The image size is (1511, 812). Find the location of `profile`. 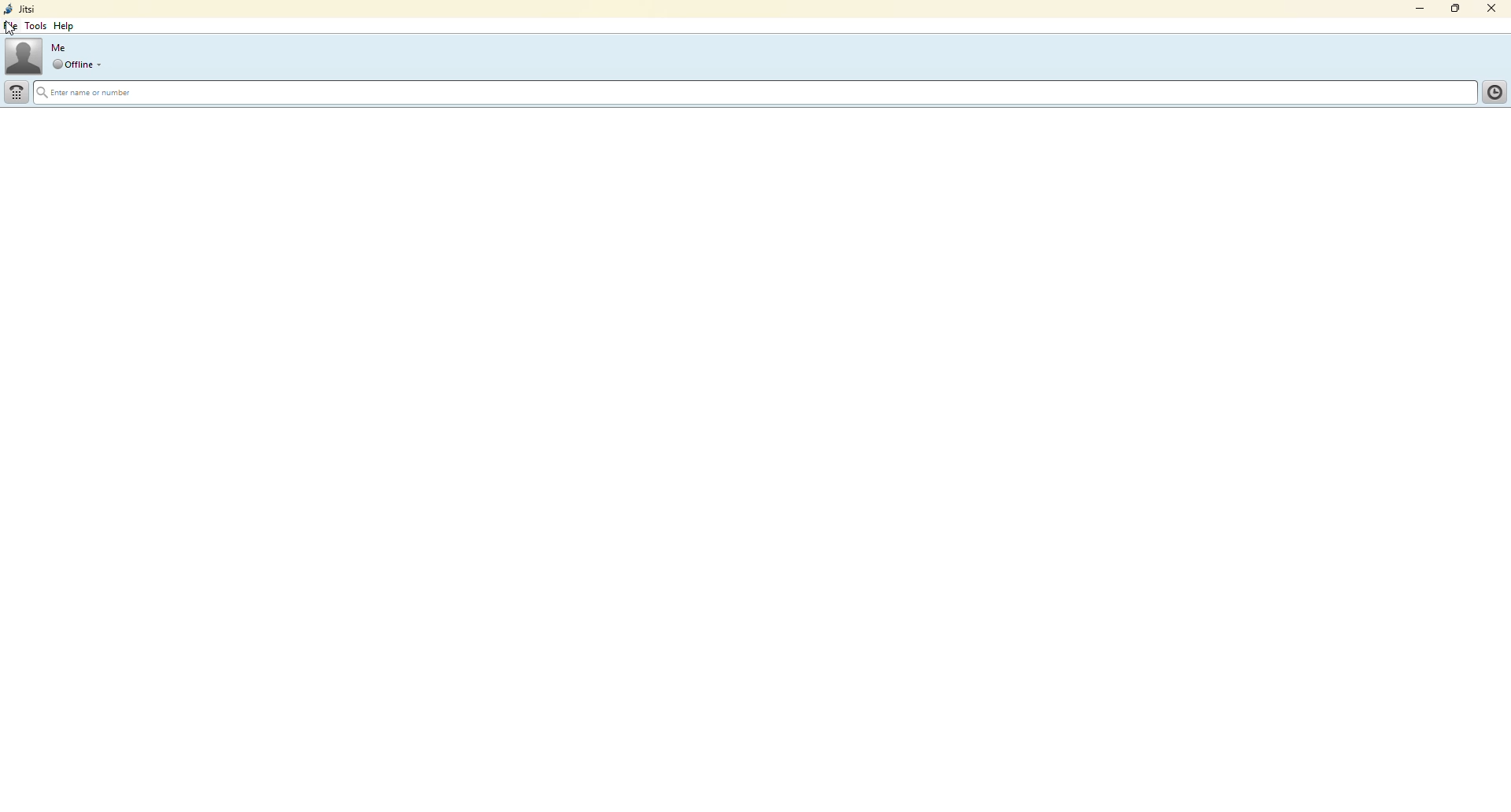

profile is located at coordinates (23, 55).